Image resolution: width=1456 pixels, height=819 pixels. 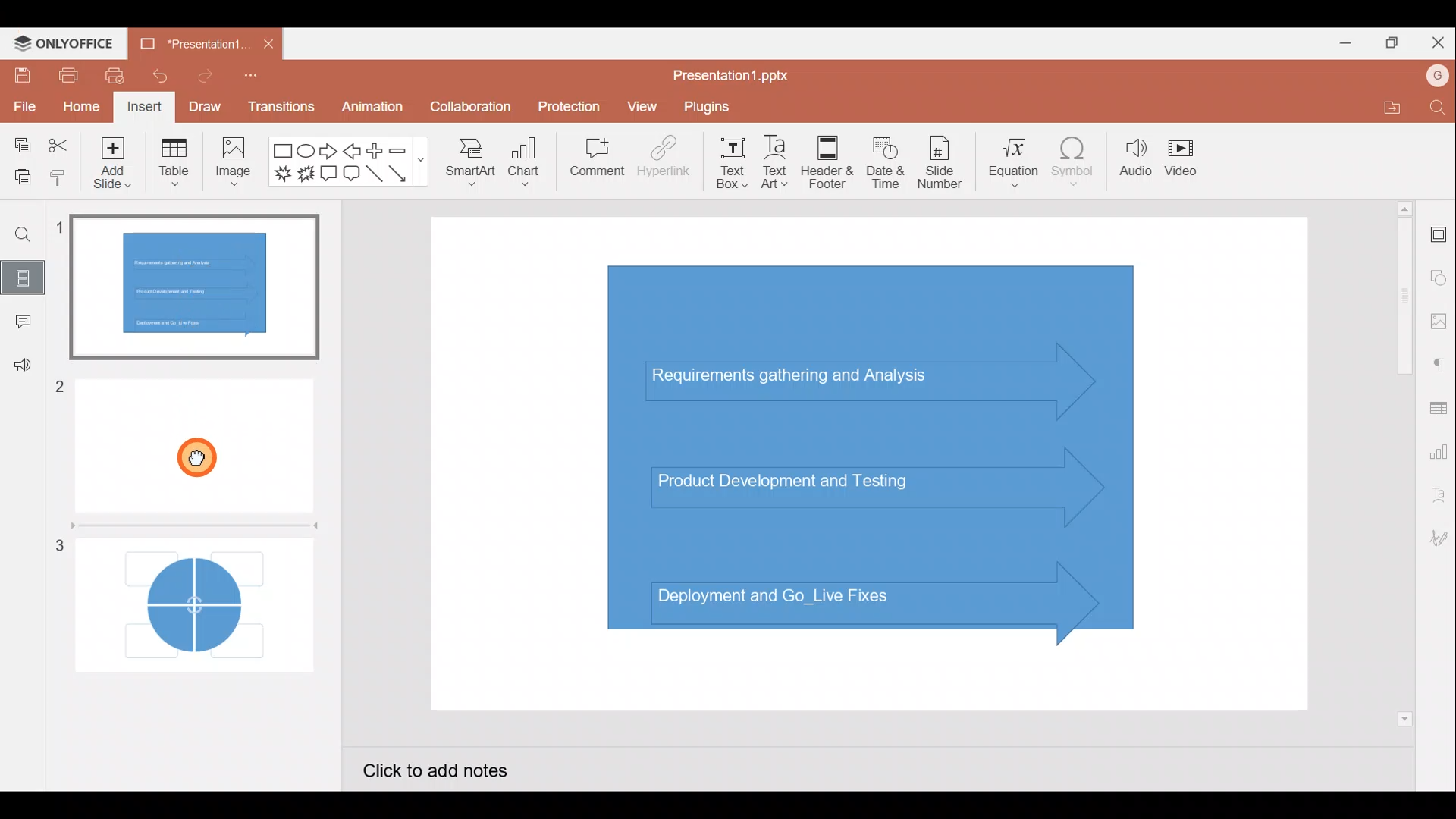 What do you see at coordinates (158, 77) in the screenshot?
I see `Undo` at bounding box center [158, 77].